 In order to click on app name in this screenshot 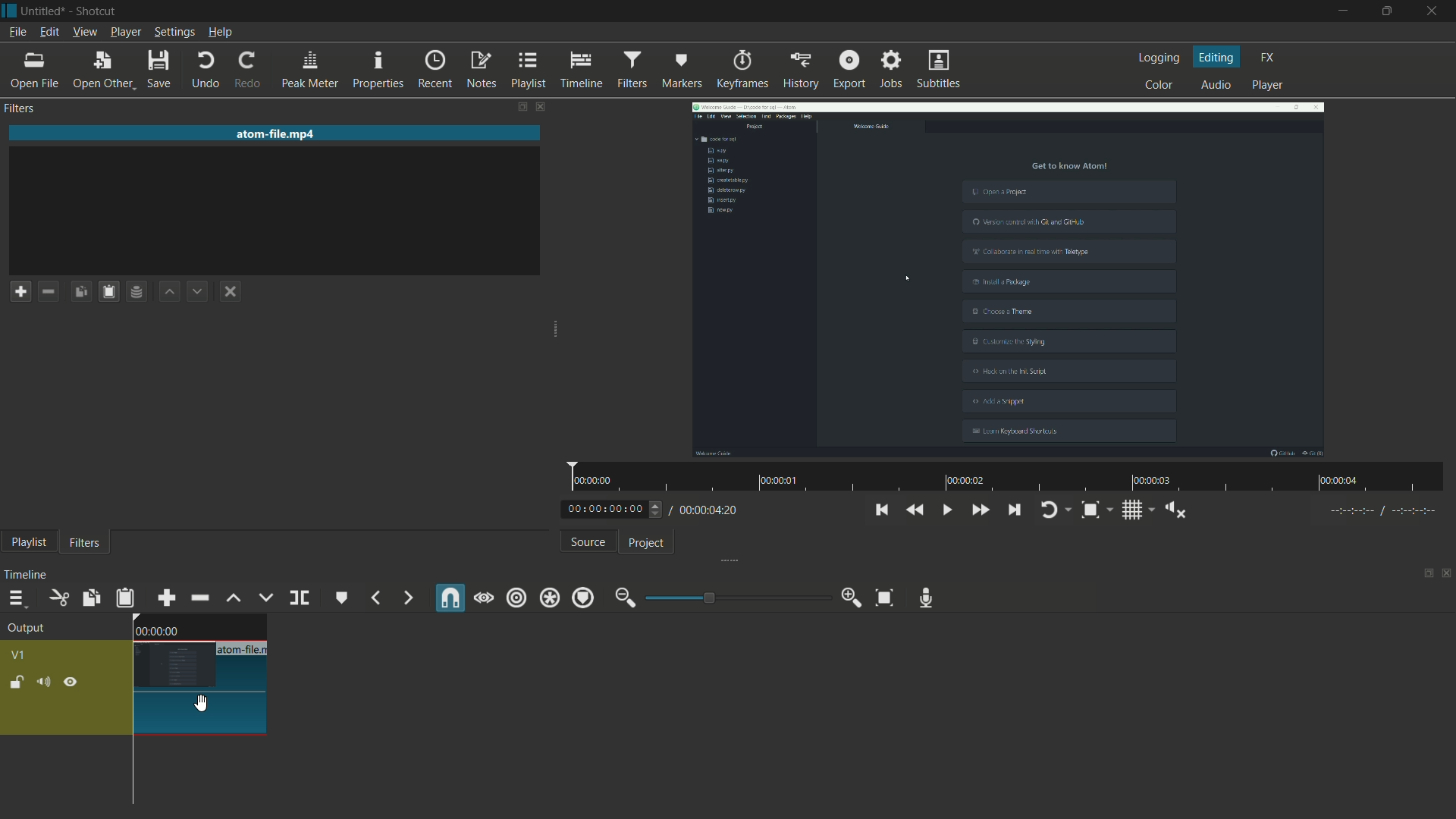, I will do `click(96, 11)`.